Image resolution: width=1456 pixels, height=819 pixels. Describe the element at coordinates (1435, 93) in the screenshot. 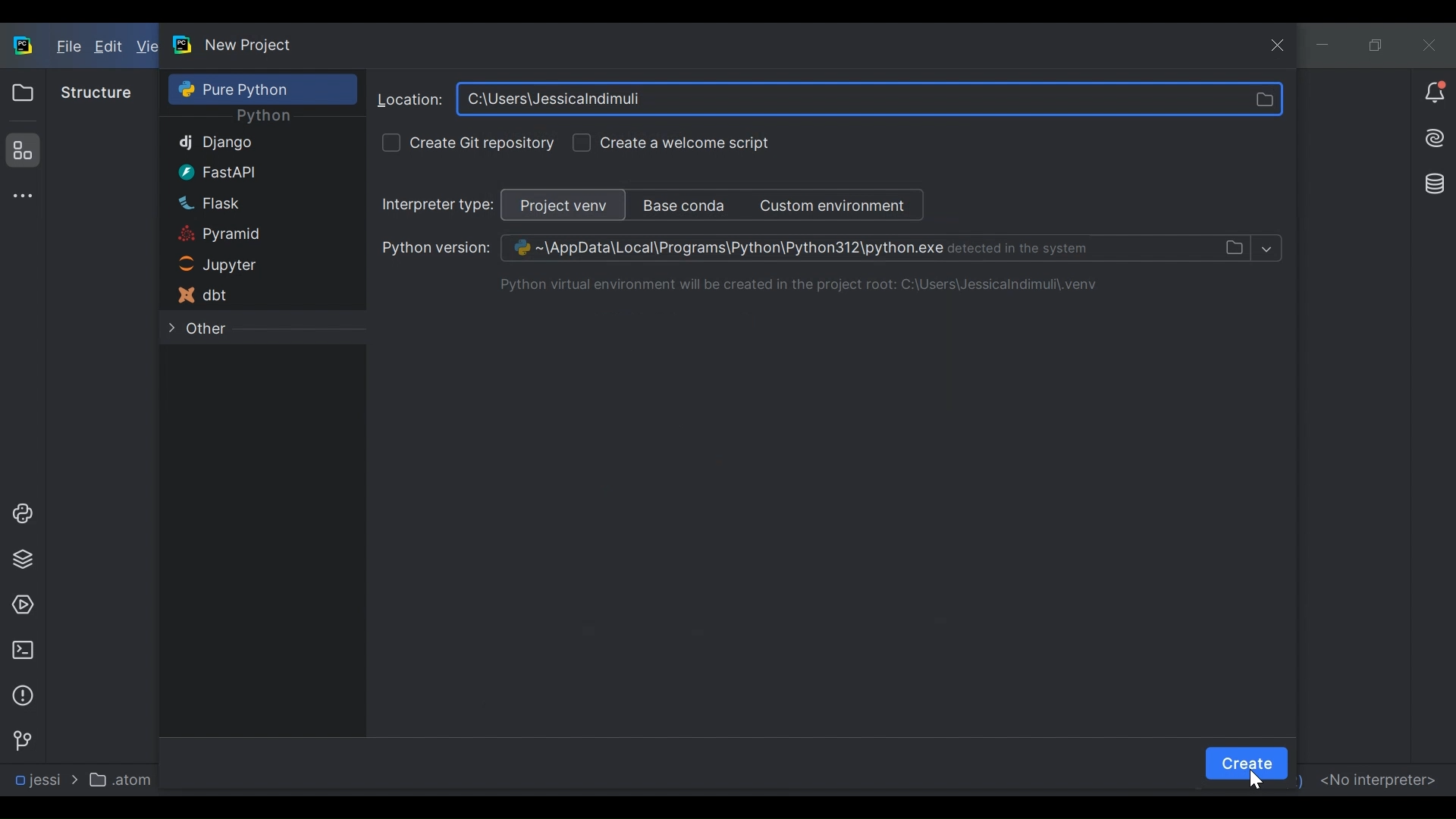

I see `Notiication` at that location.